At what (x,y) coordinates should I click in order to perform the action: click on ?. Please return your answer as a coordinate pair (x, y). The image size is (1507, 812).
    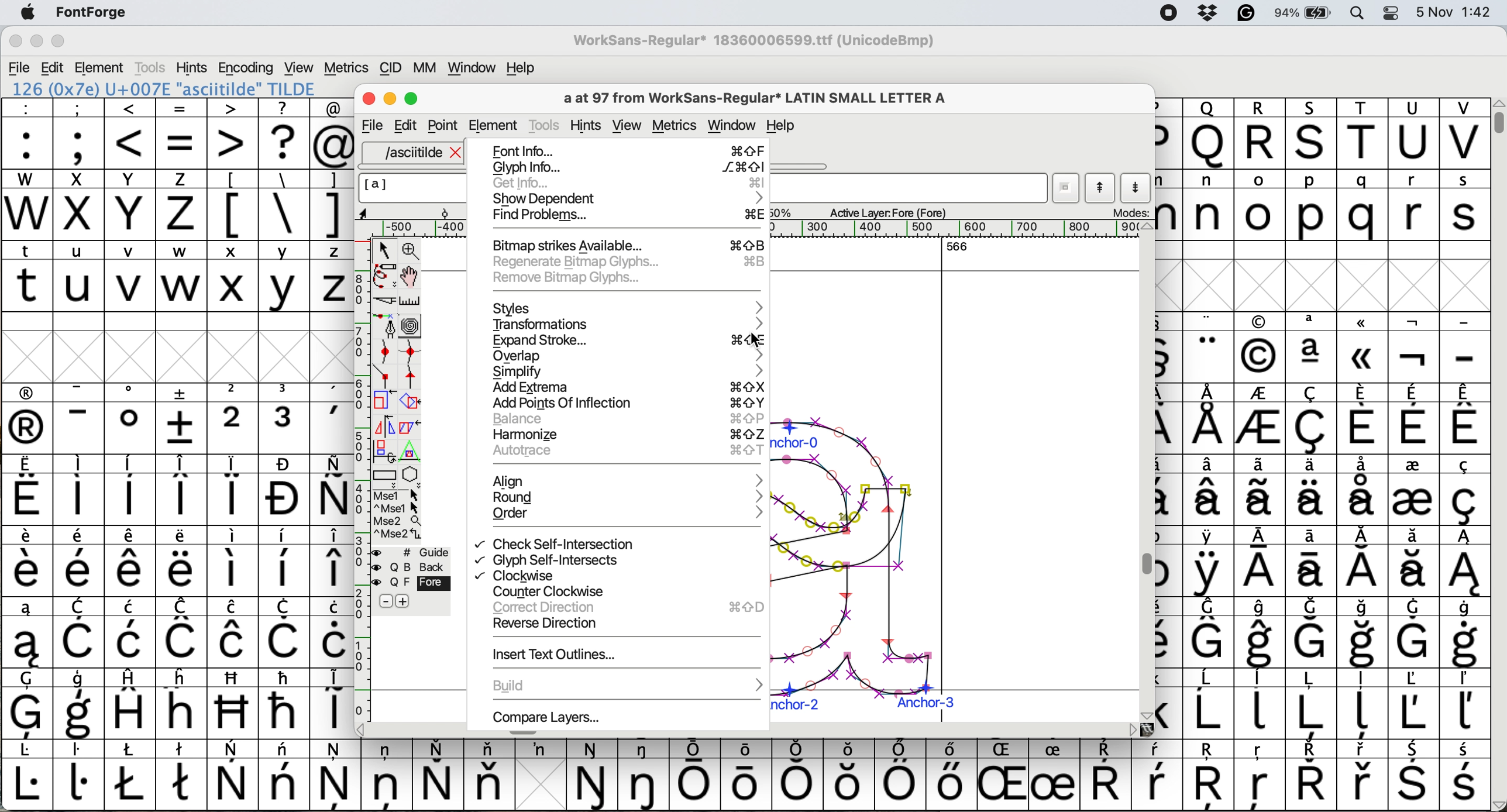
    Looking at the image, I should click on (284, 133).